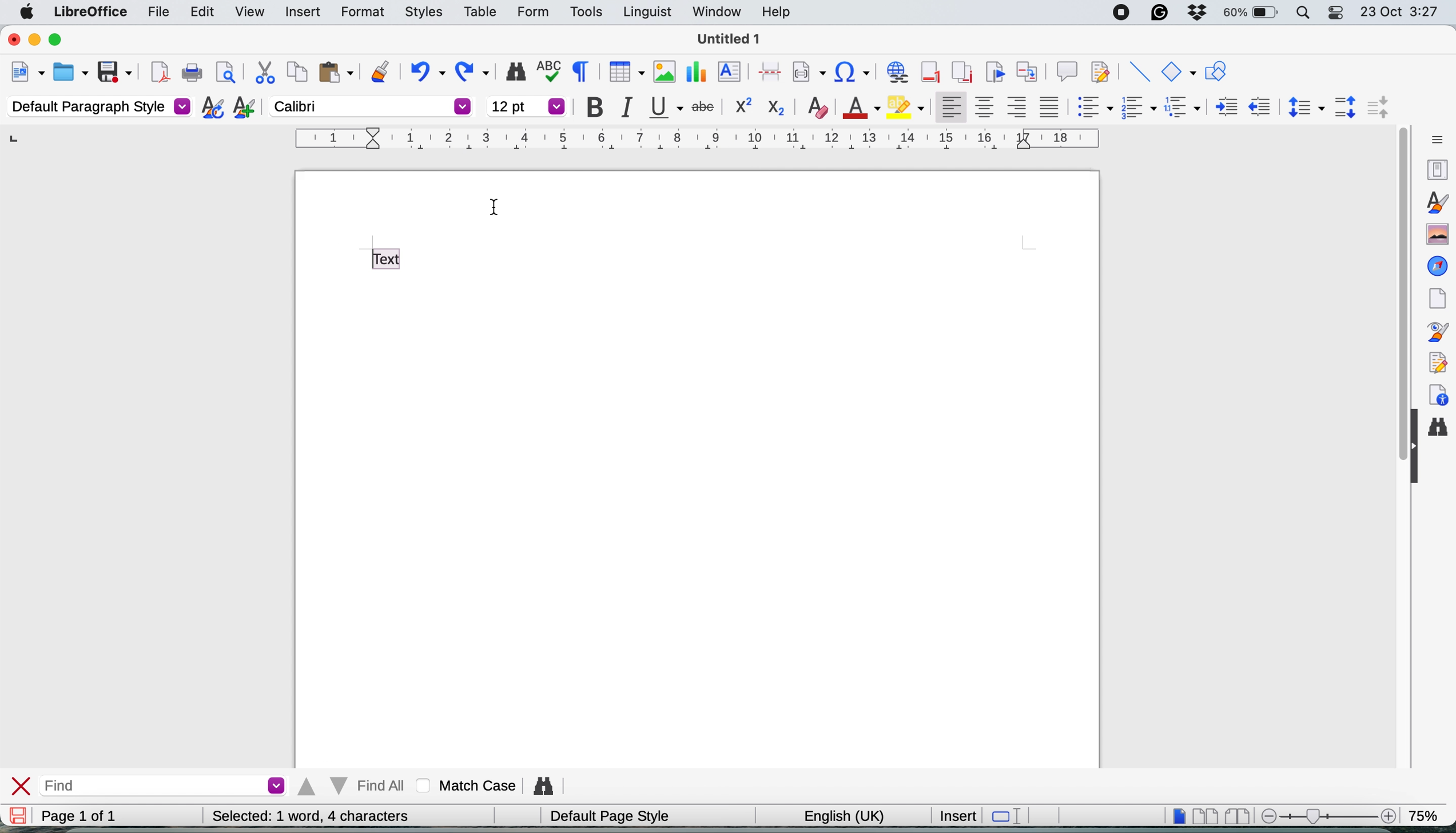  I want to click on show track change functions, so click(1103, 73).